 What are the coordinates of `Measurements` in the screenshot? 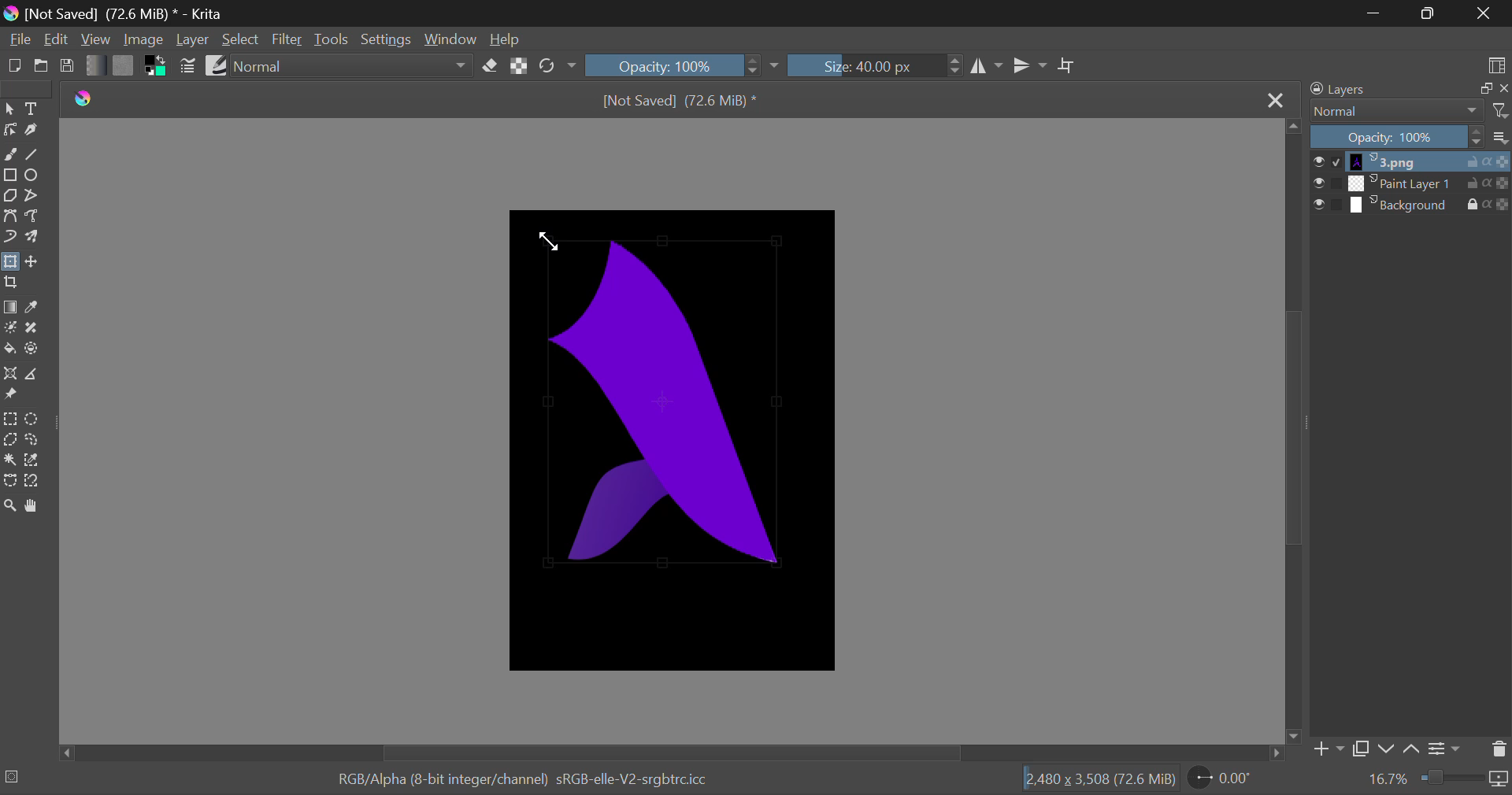 It's located at (37, 374).